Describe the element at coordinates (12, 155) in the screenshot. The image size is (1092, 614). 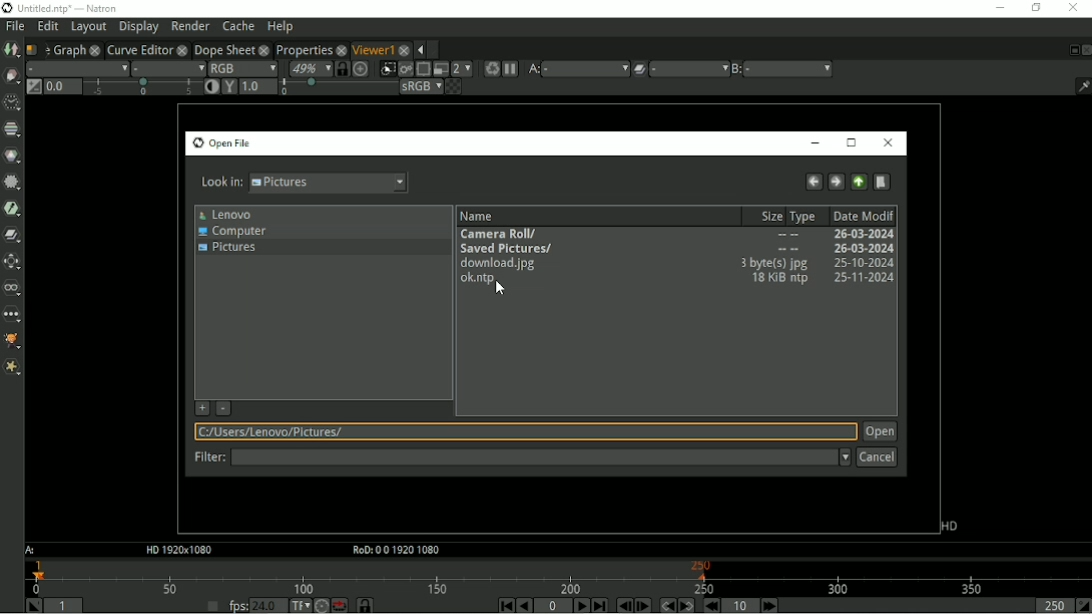
I see `Color` at that location.